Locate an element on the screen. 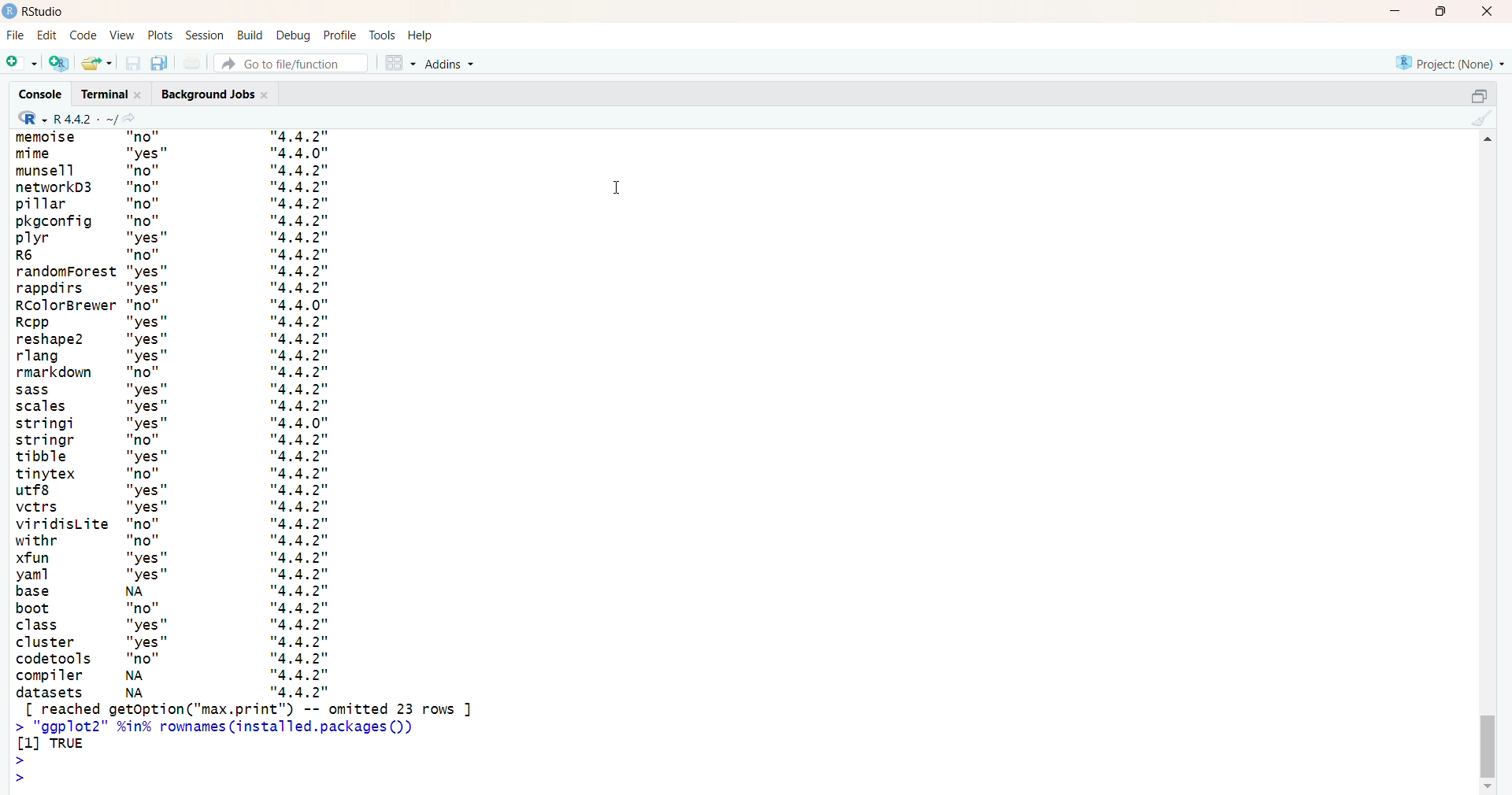 This screenshot has width=1512, height=795. Rstudio is located at coordinates (35, 10).